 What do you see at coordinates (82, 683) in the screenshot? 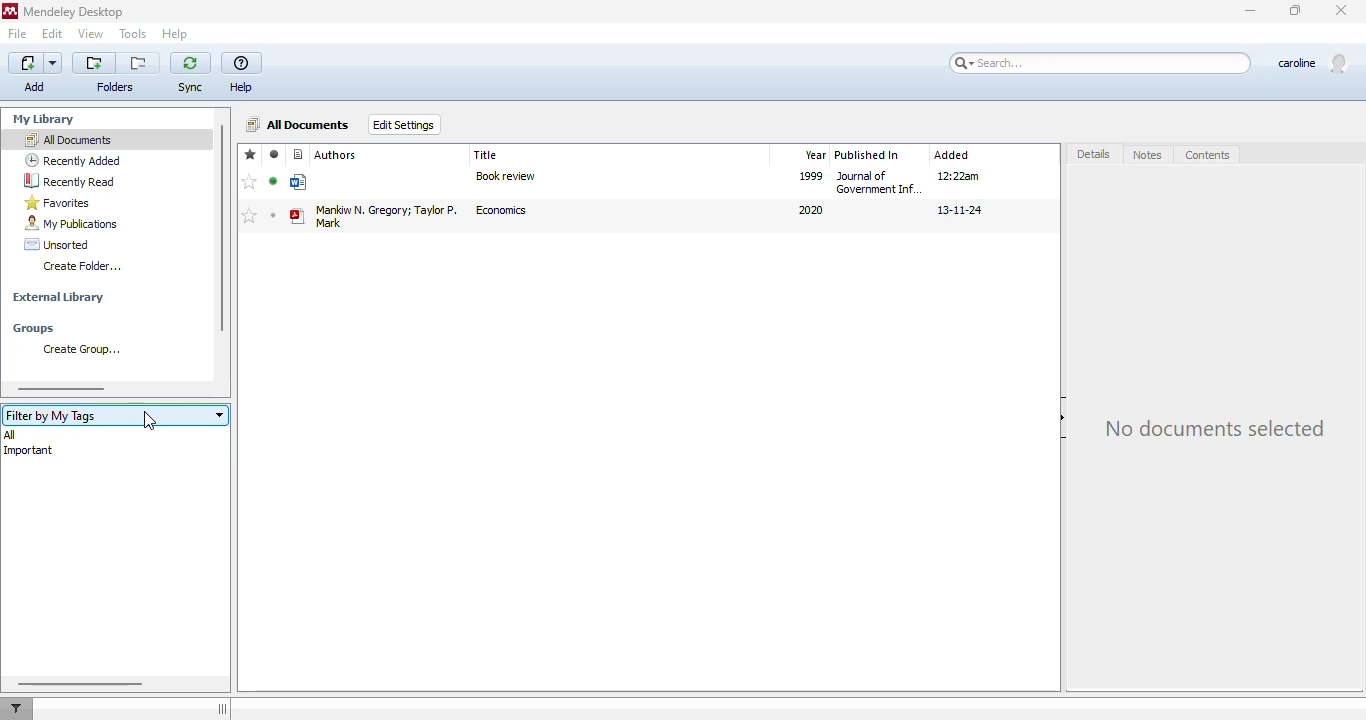
I see `horizontal scroll bar` at bounding box center [82, 683].